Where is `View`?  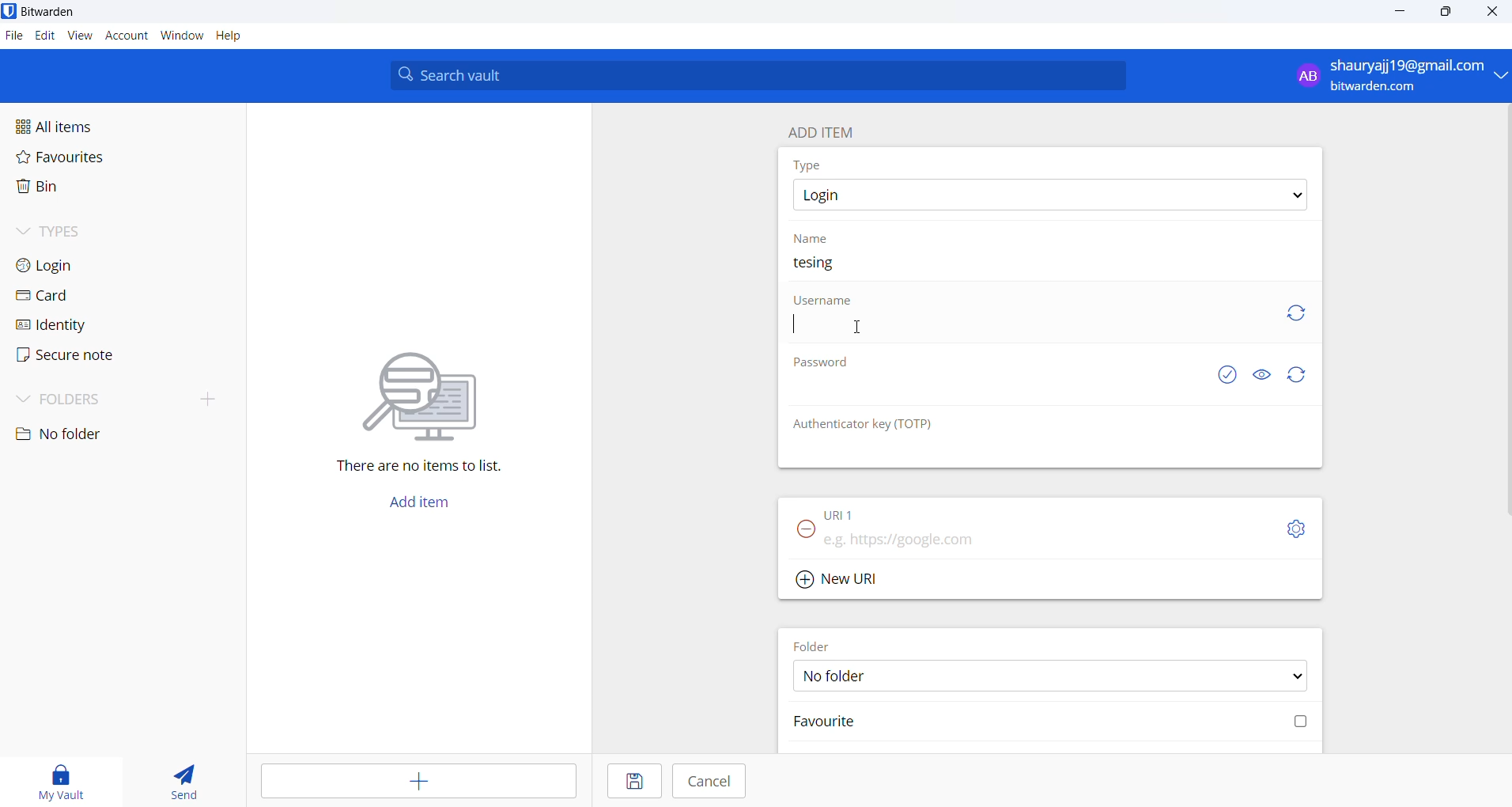
View is located at coordinates (81, 36).